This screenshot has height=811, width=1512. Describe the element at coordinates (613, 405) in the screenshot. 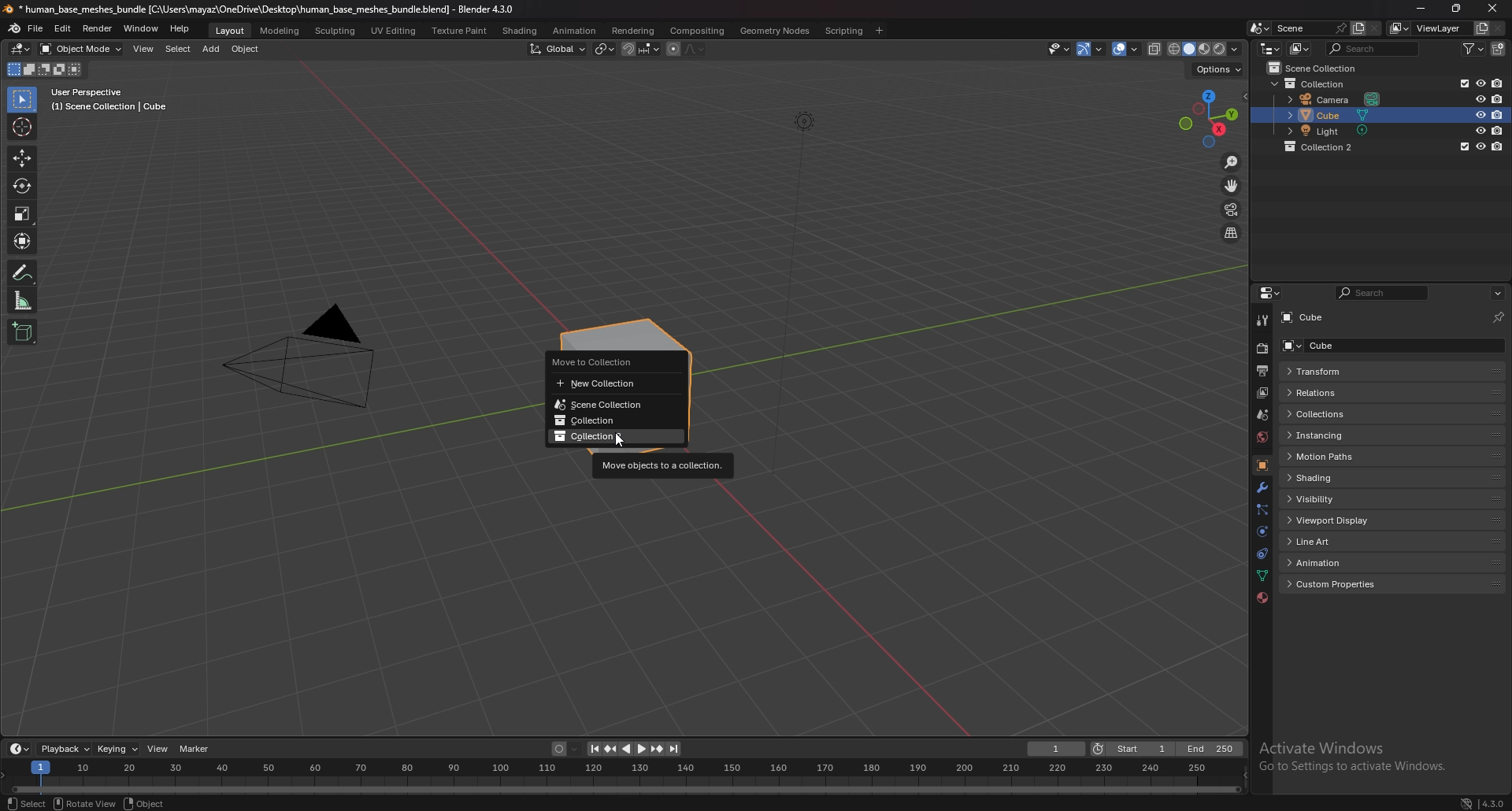

I see `scene collection` at that location.